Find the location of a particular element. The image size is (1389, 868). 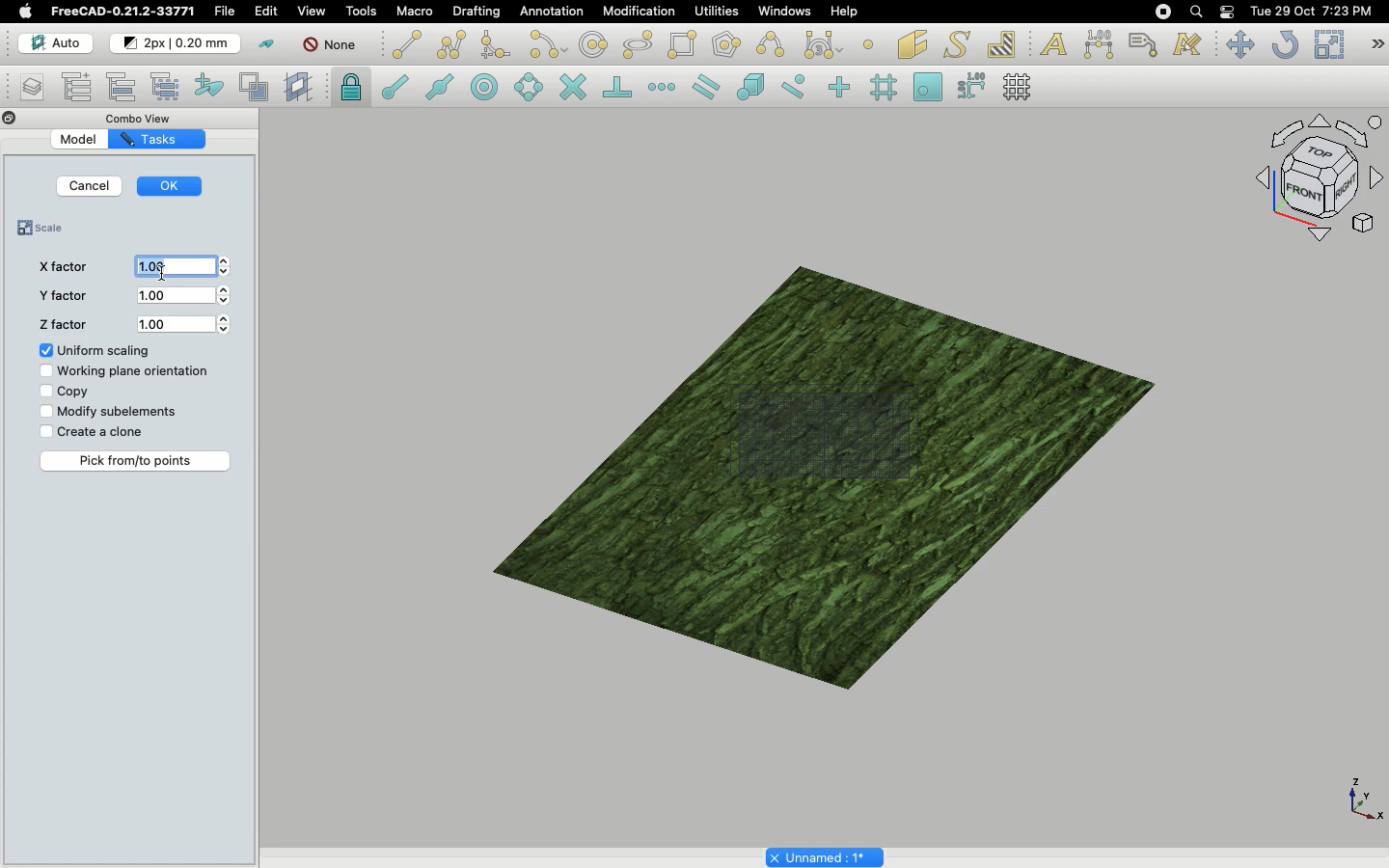

Toggle normal/wireframe display is located at coordinates (255, 87).